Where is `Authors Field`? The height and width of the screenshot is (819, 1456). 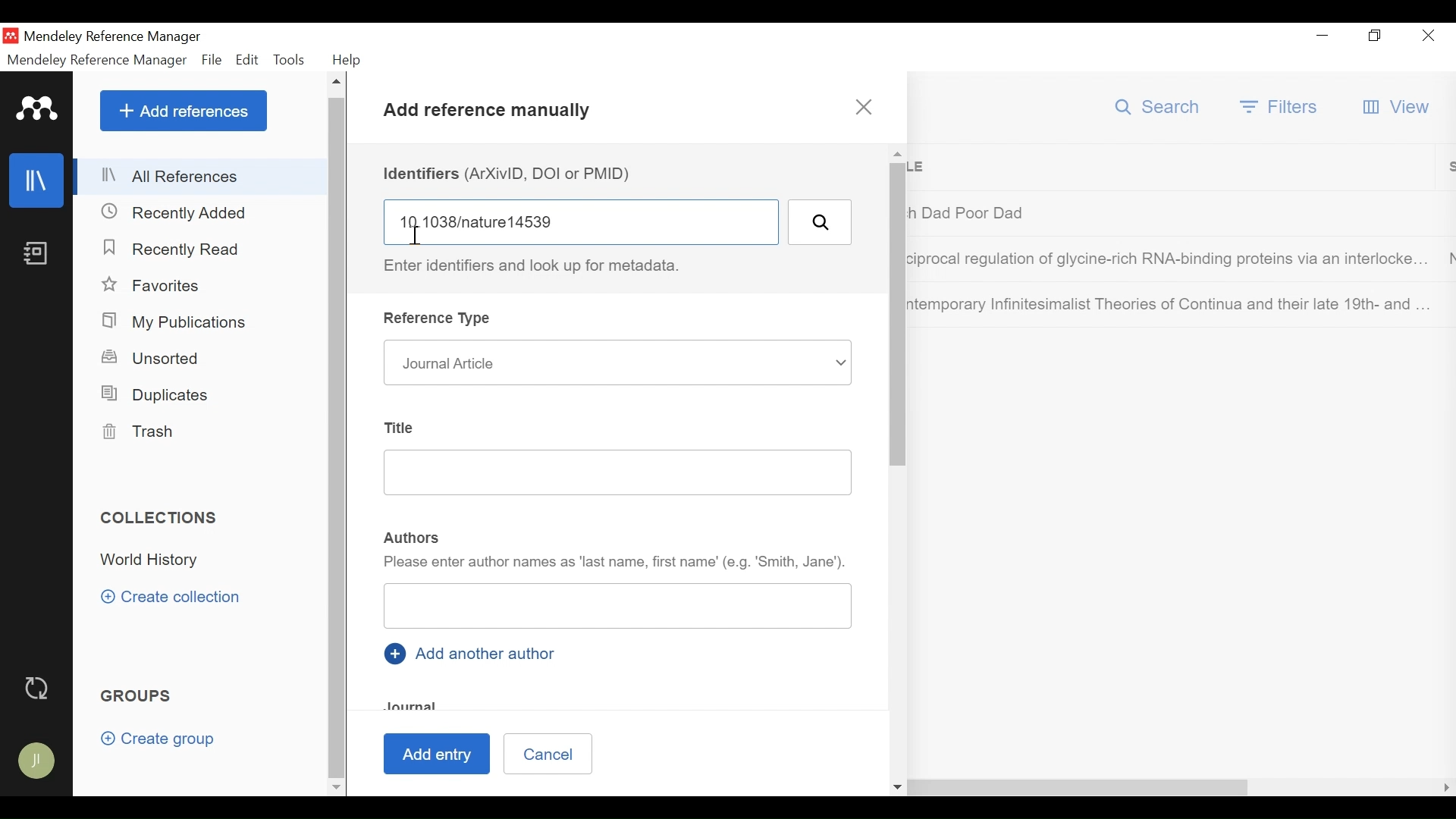
Authors Field is located at coordinates (620, 605).